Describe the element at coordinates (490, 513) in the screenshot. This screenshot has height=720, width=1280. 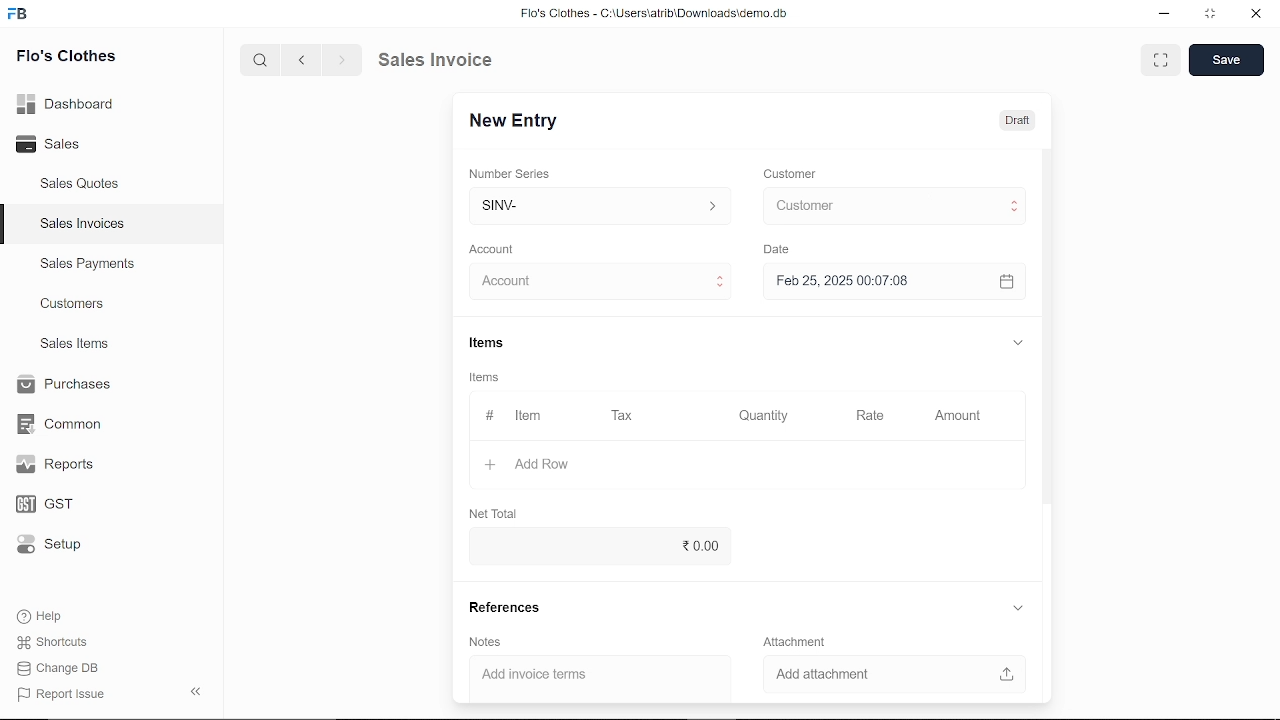
I see `Net Total` at that location.